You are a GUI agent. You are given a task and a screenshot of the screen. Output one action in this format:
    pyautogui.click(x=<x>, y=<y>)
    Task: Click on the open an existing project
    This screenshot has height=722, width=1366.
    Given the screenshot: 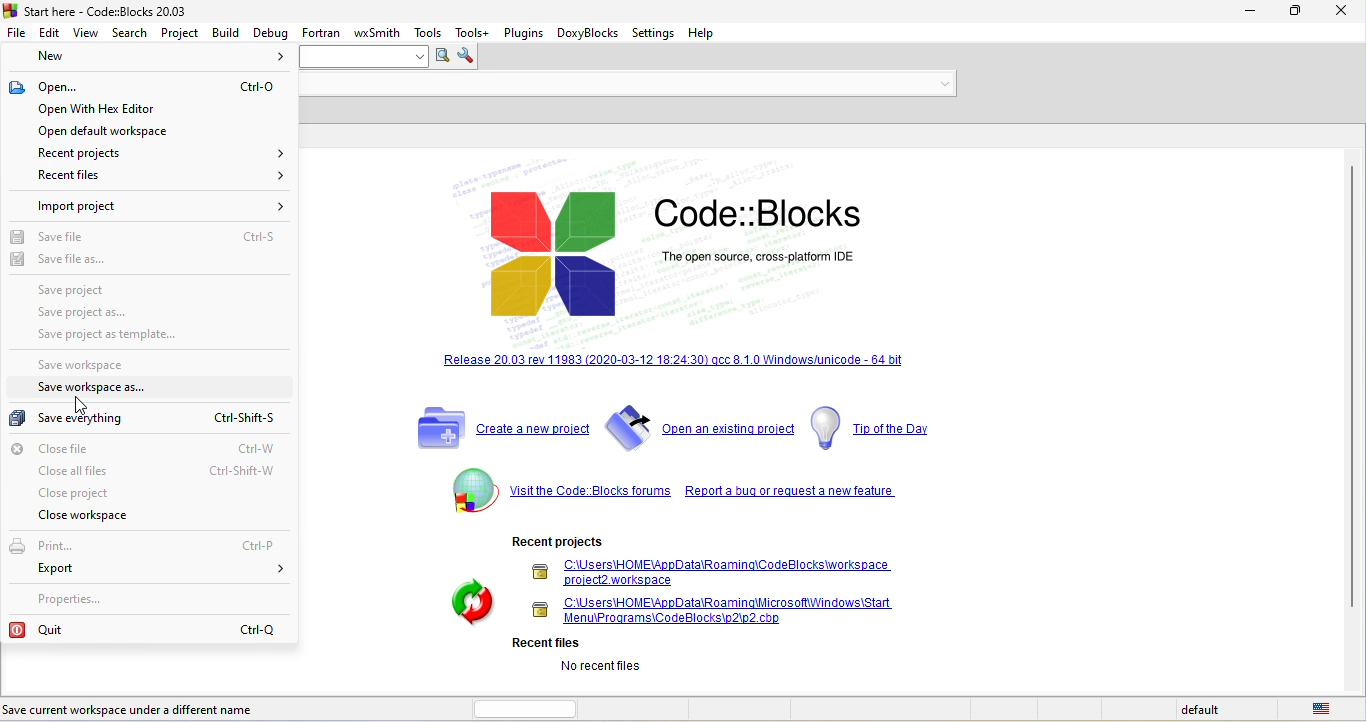 What is the action you would take?
    pyautogui.click(x=699, y=427)
    